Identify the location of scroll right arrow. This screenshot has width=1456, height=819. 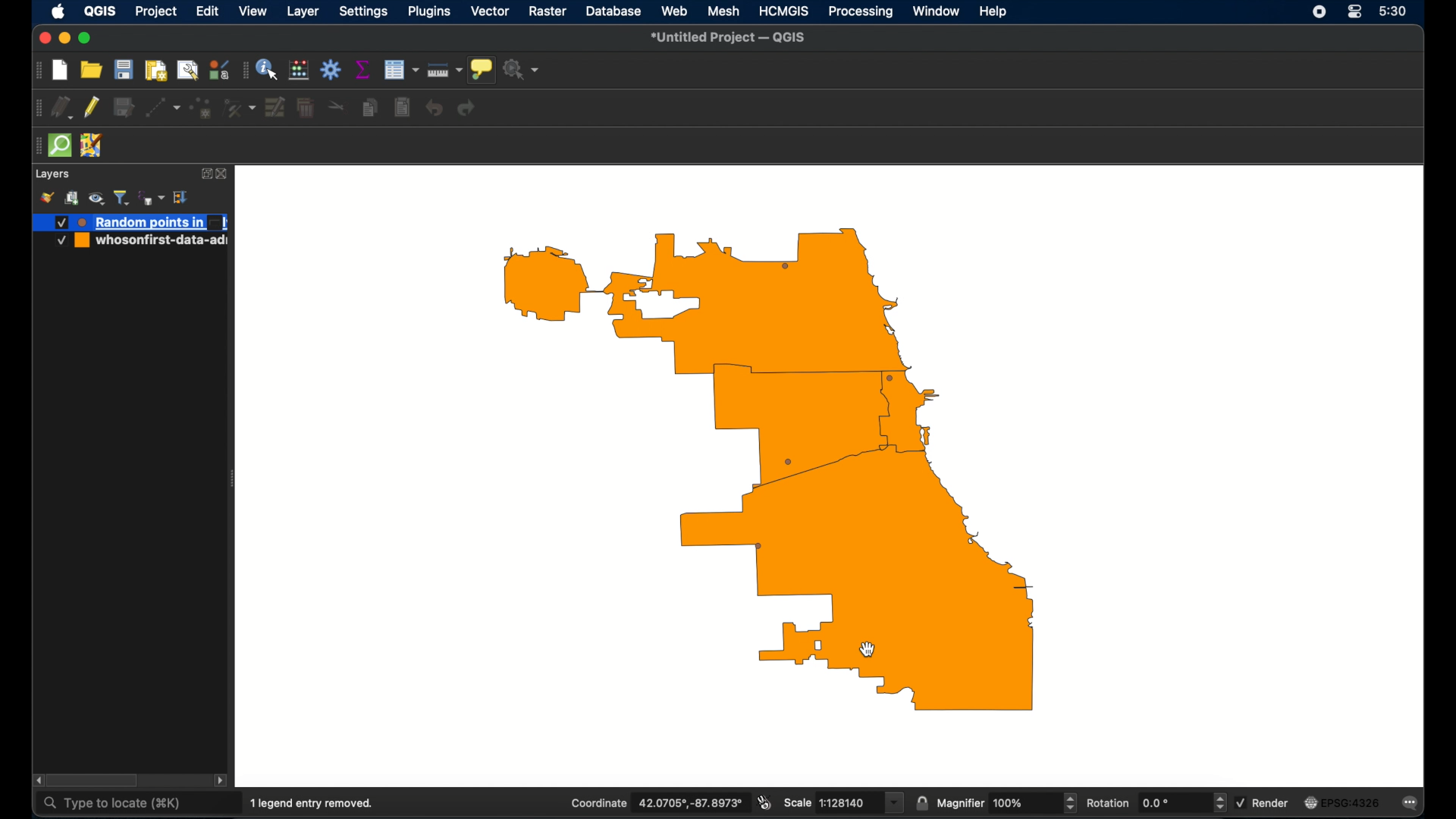
(223, 781).